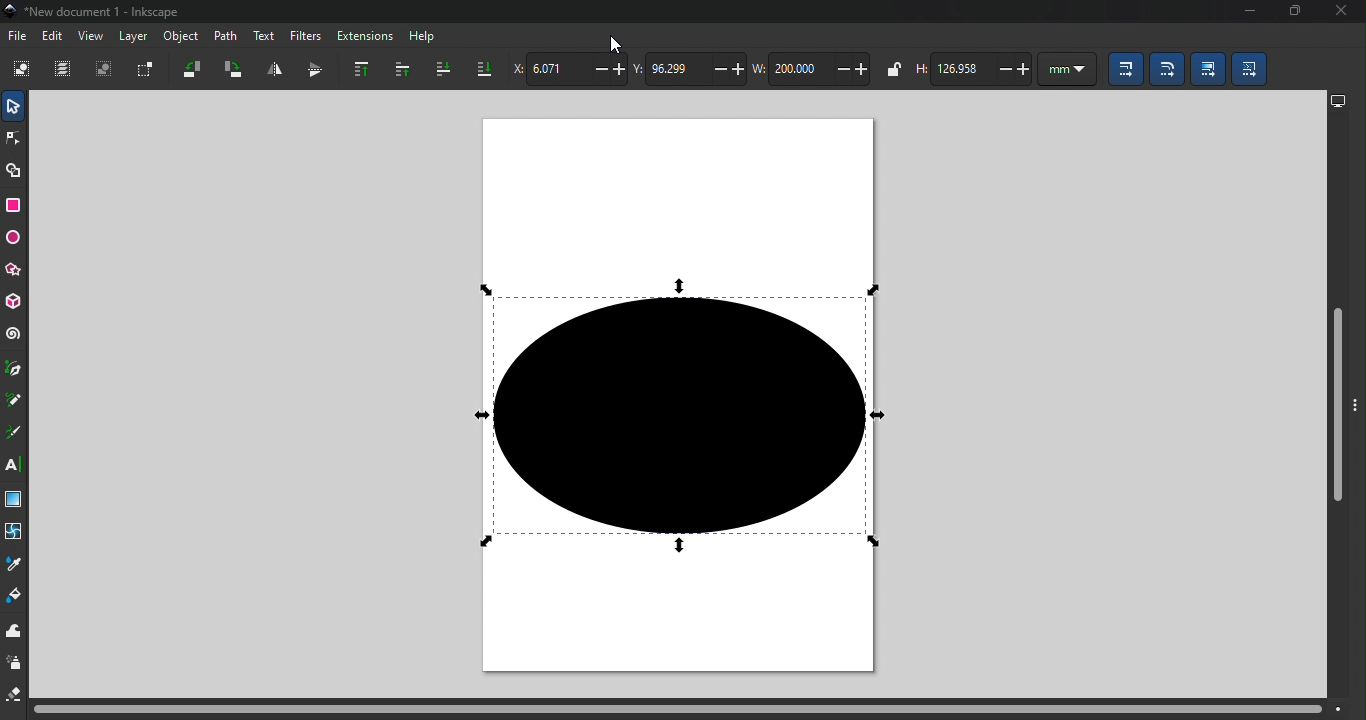  What do you see at coordinates (236, 72) in the screenshot?
I see `Object rotate 90 clockwise` at bounding box center [236, 72].